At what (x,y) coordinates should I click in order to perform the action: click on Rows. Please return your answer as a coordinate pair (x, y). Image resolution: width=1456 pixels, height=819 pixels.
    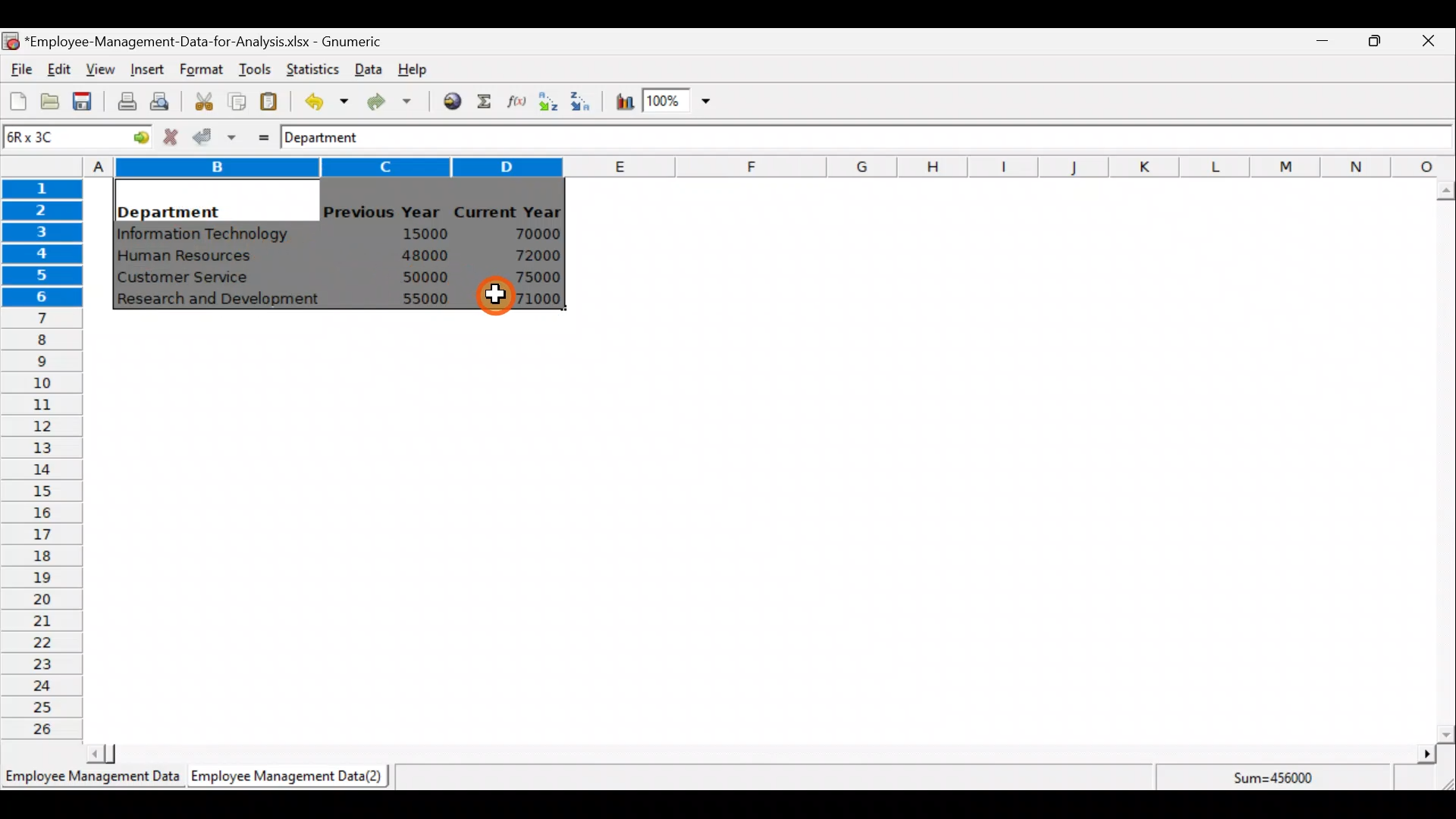
    Looking at the image, I should click on (42, 456).